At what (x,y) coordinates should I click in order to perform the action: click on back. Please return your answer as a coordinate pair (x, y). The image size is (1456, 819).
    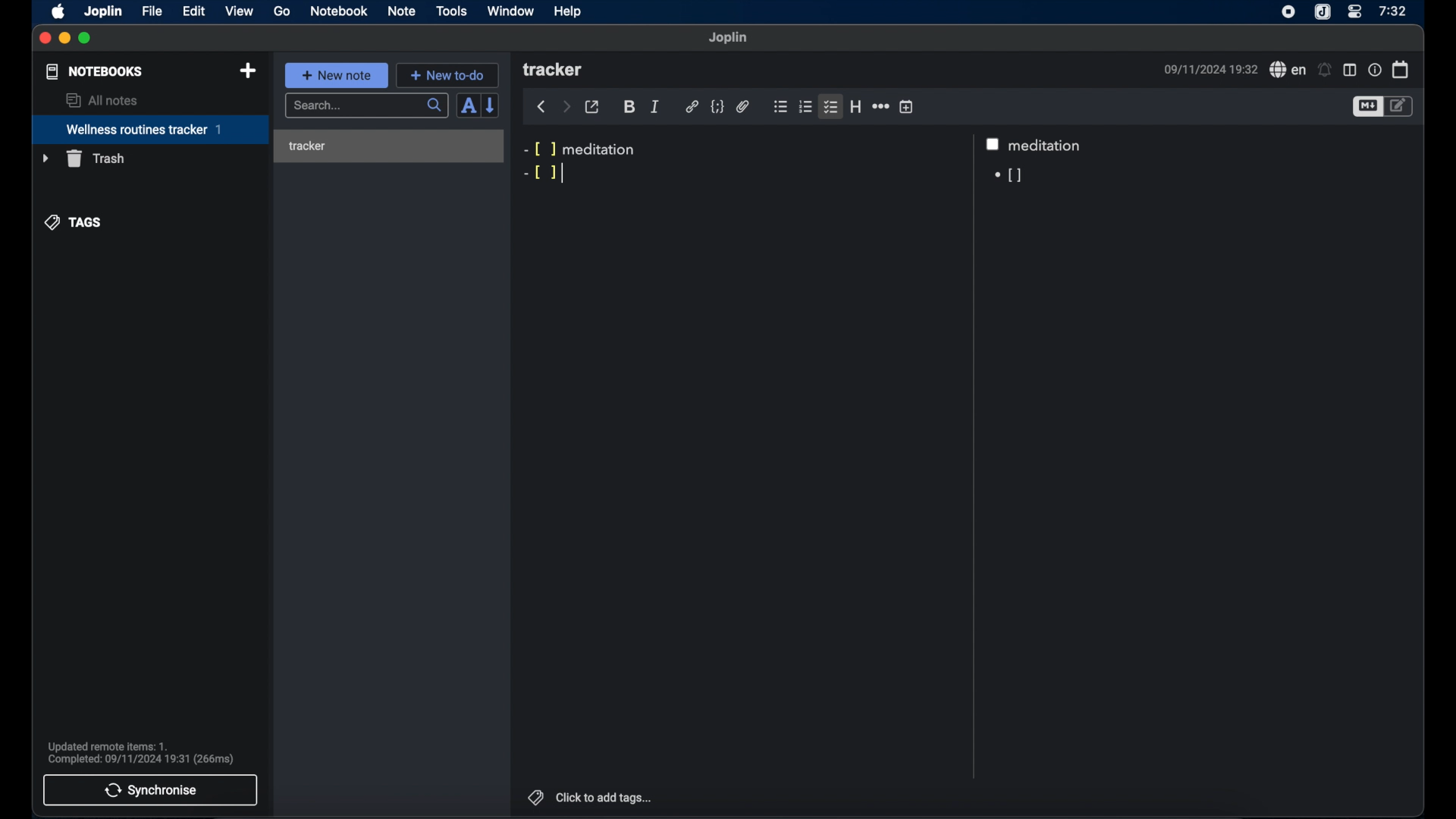
    Looking at the image, I should click on (541, 107).